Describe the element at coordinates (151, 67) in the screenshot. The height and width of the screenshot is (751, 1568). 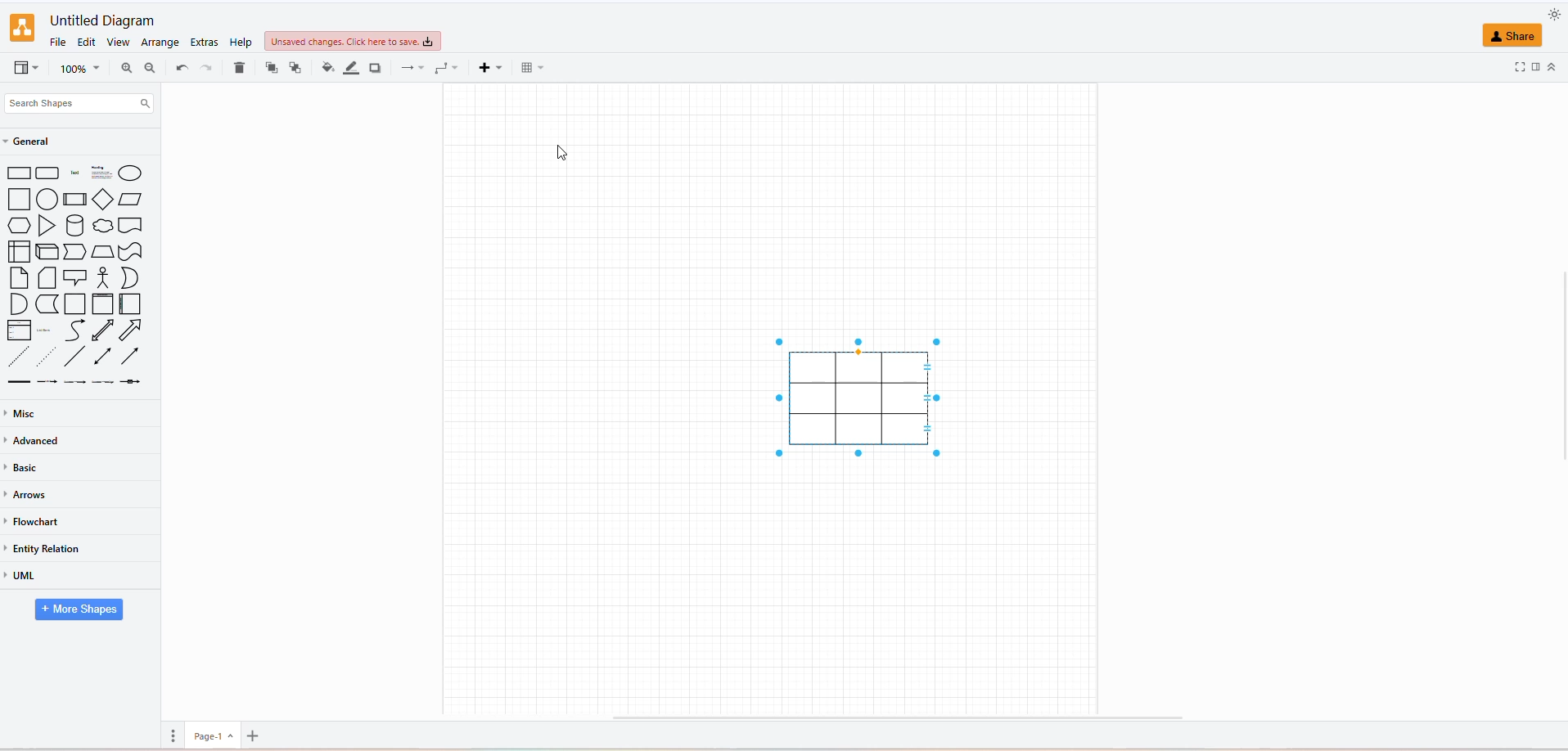
I see `zoom out` at that location.